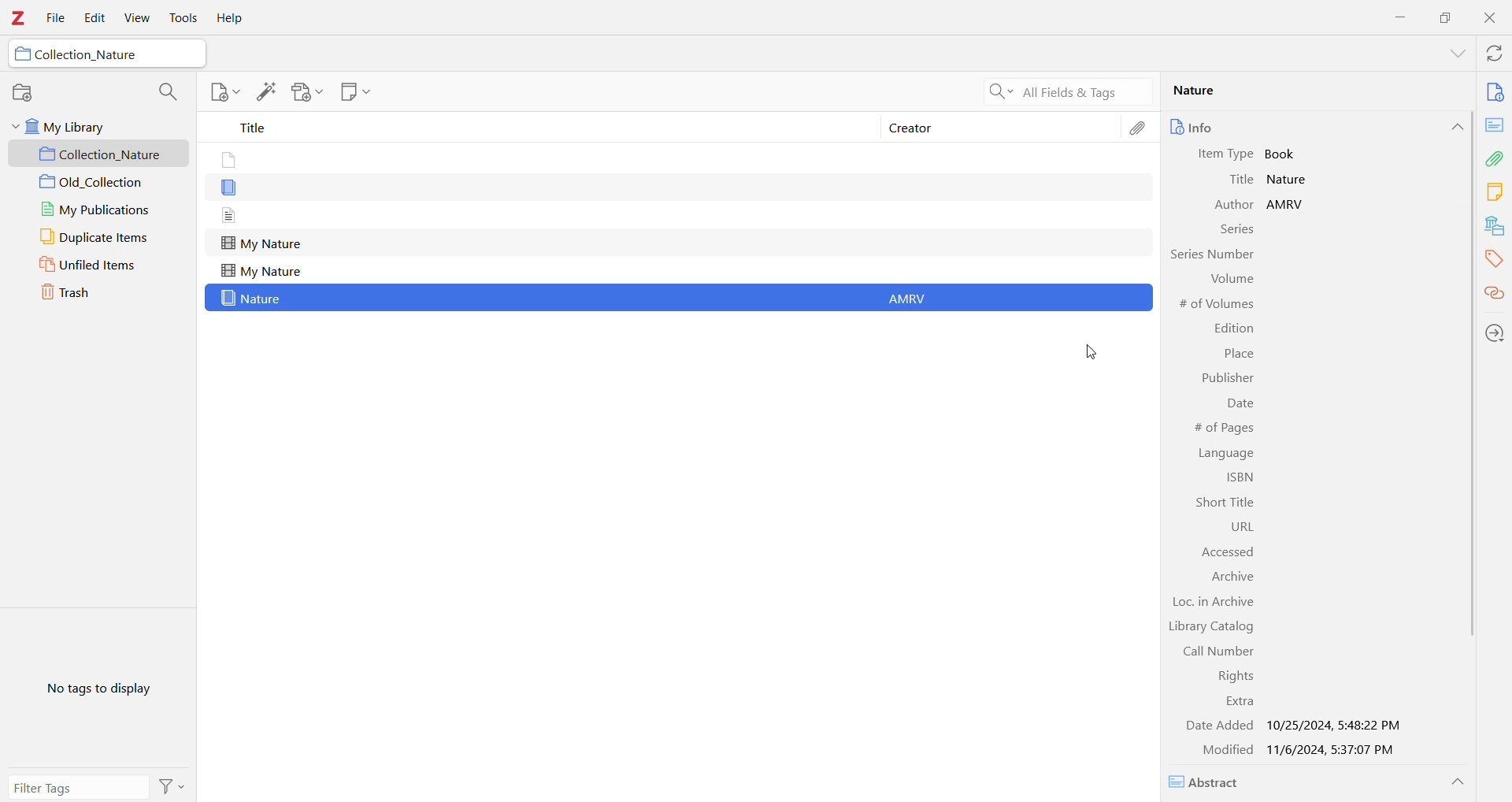 This screenshot has width=1512, height=802. Describe the element at coordinates (261, 244) in the screenshot. I see `My Nature` at that location.